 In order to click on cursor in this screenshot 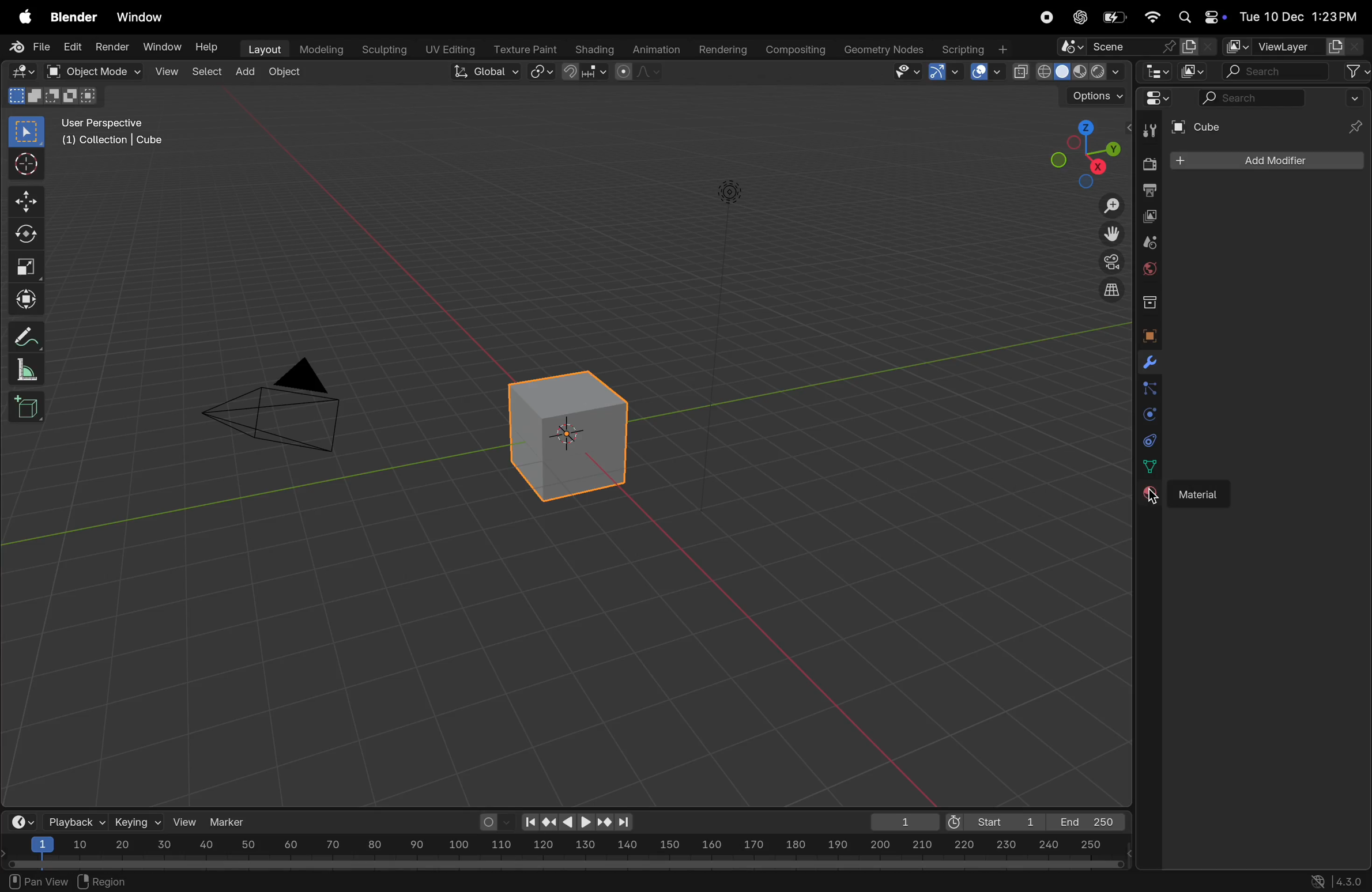, I will do `click(1148, 501)`.